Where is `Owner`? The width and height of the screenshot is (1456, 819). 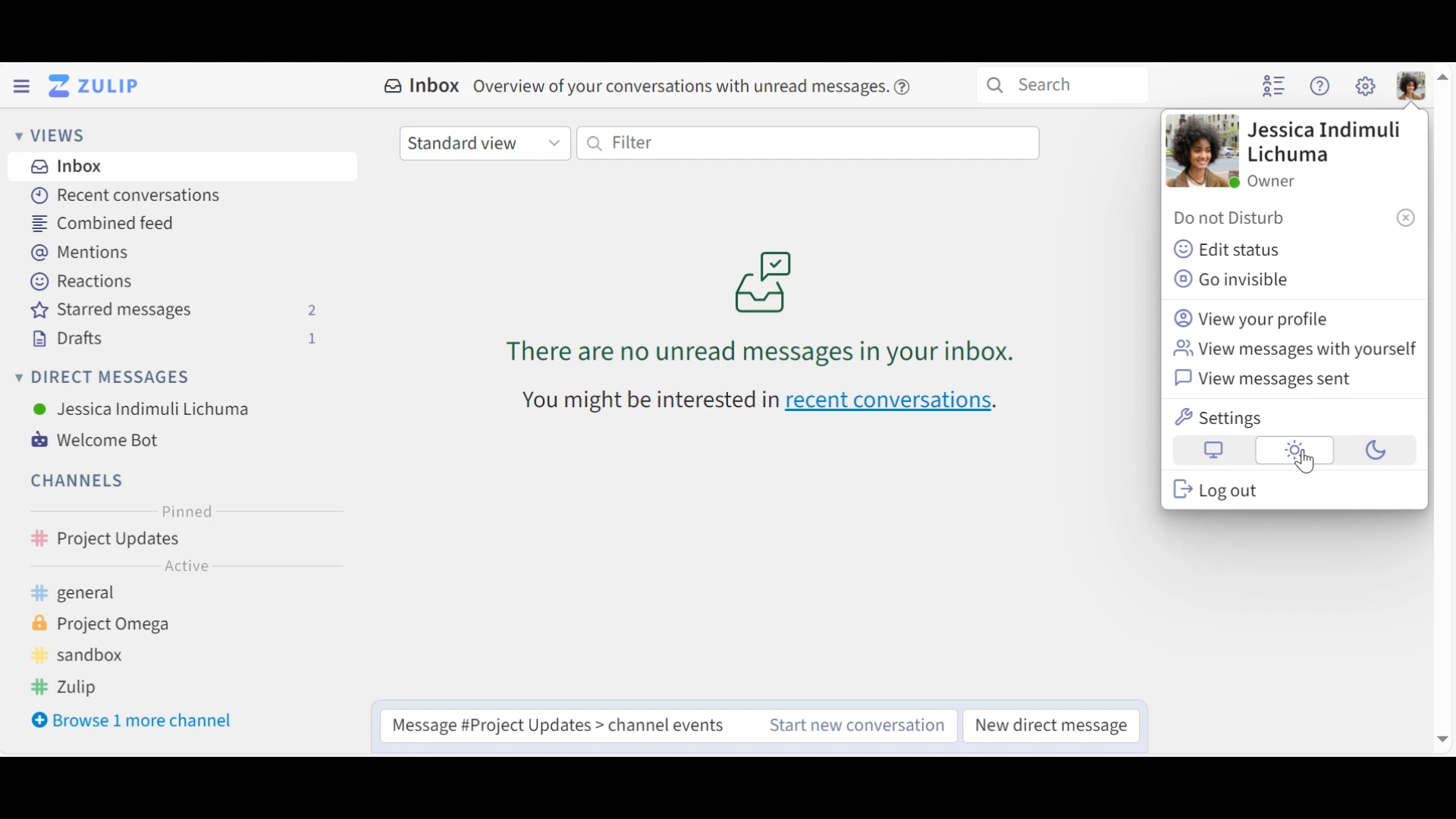 Owner is located at coordinates (1272, 180).